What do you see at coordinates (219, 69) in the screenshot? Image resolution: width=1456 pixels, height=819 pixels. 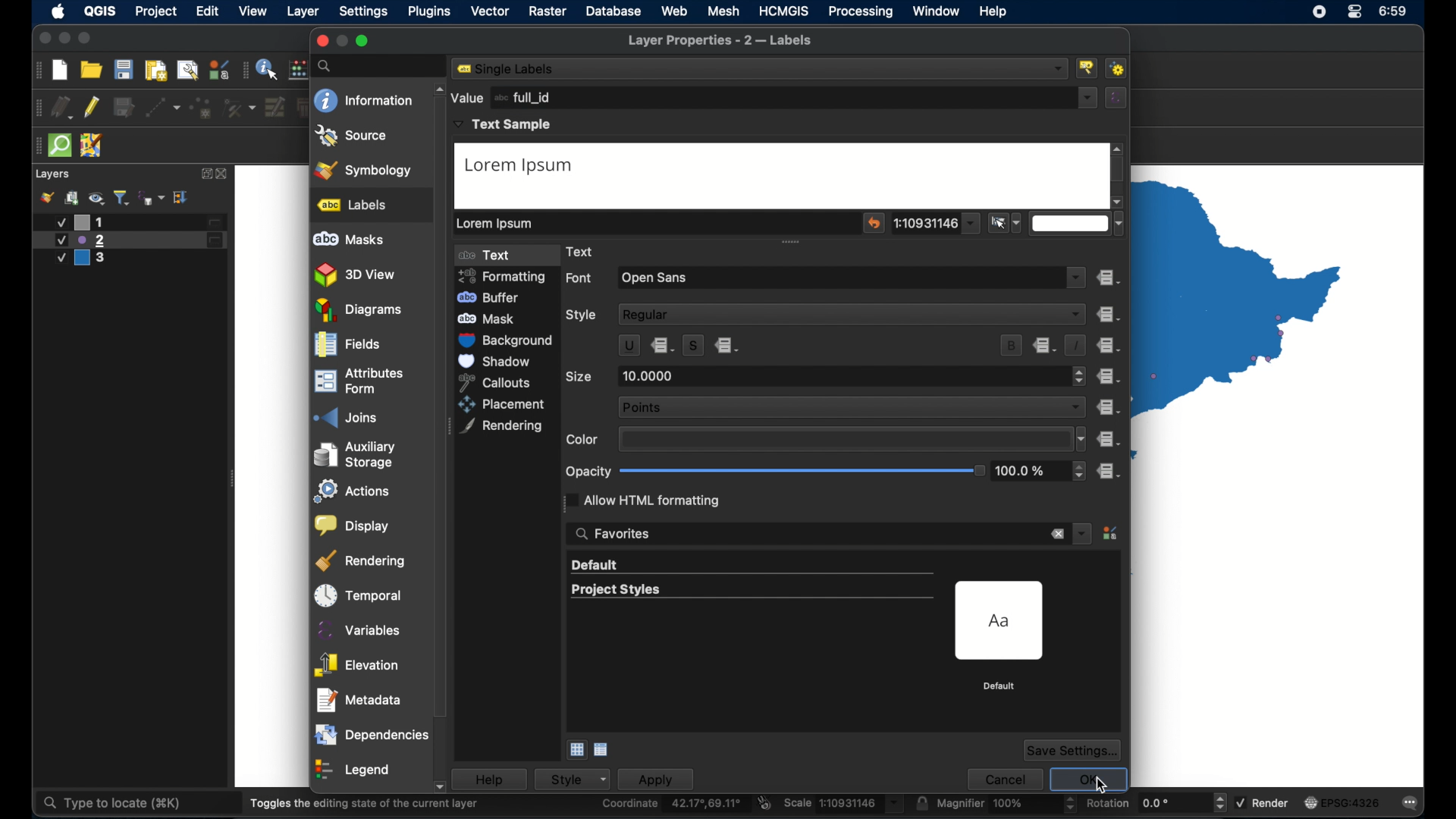 I see `style manager` at bounding box center [219, 69].